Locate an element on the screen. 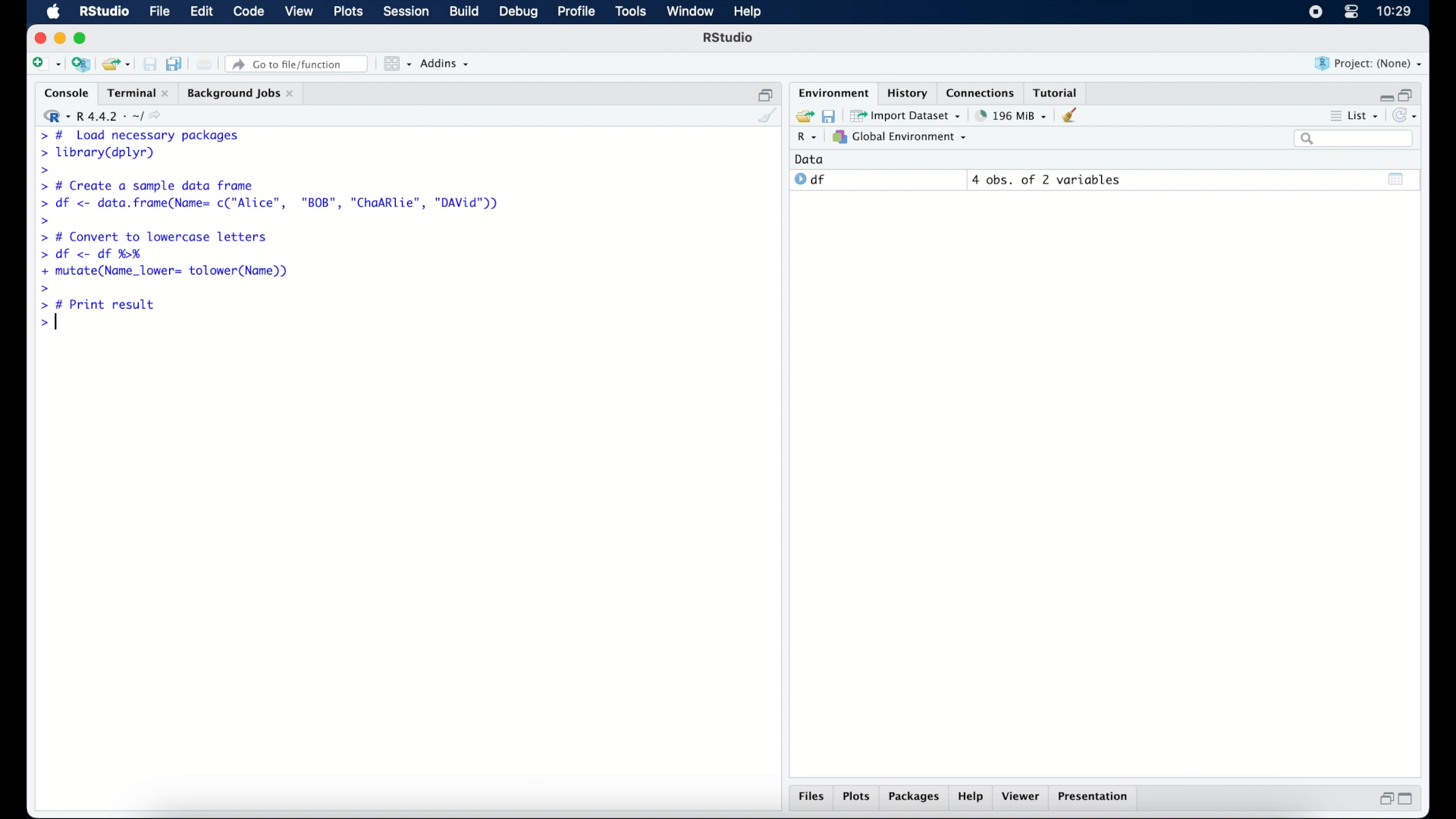 This screenshot has height=819, width=1456. environment is located at coordinates (831, 92).